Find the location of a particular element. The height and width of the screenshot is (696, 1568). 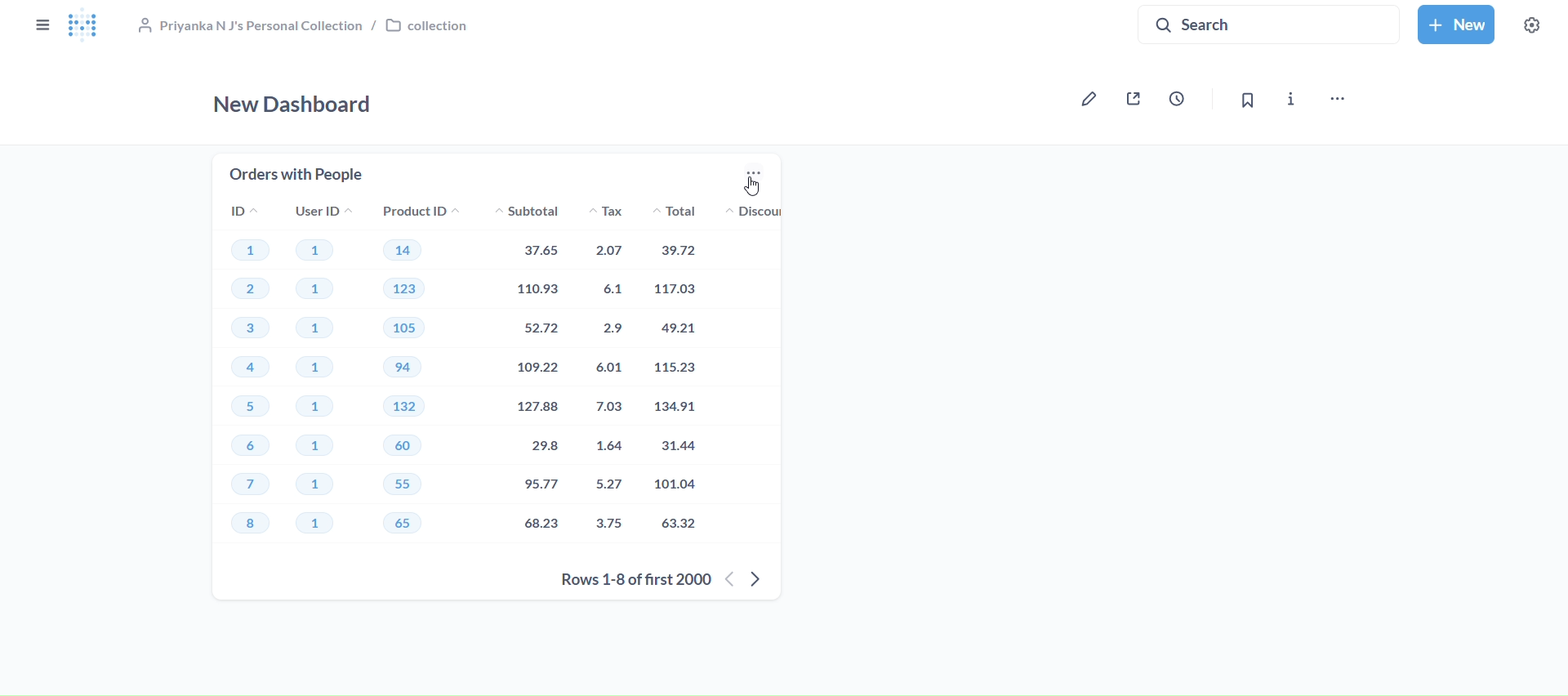

close sidebar is located at coordinates (42, 25).